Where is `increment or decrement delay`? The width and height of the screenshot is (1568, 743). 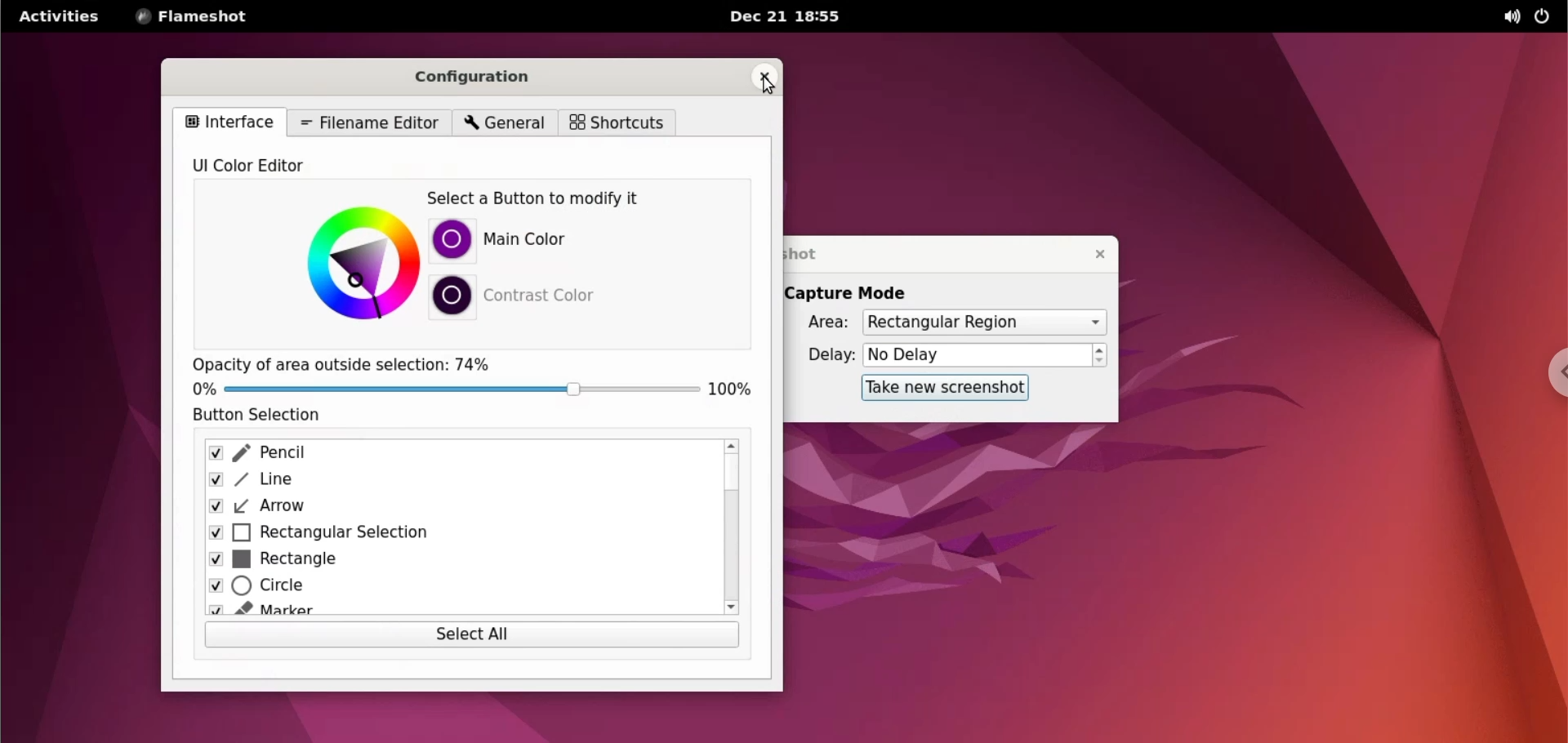 increment or decrement delay is located at coordinates (1100, 356).